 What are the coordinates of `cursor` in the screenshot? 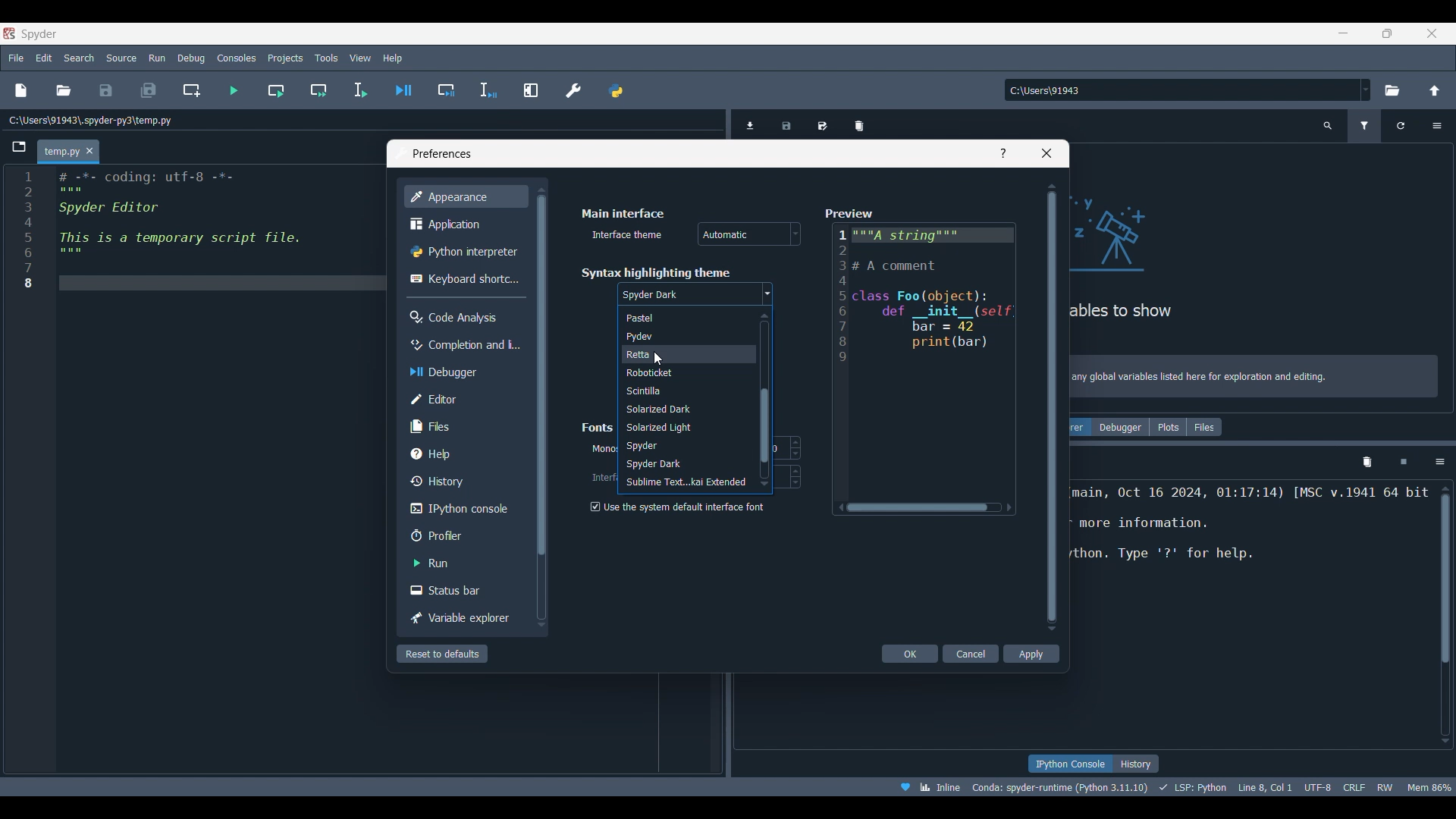 It's located at (658, 359).